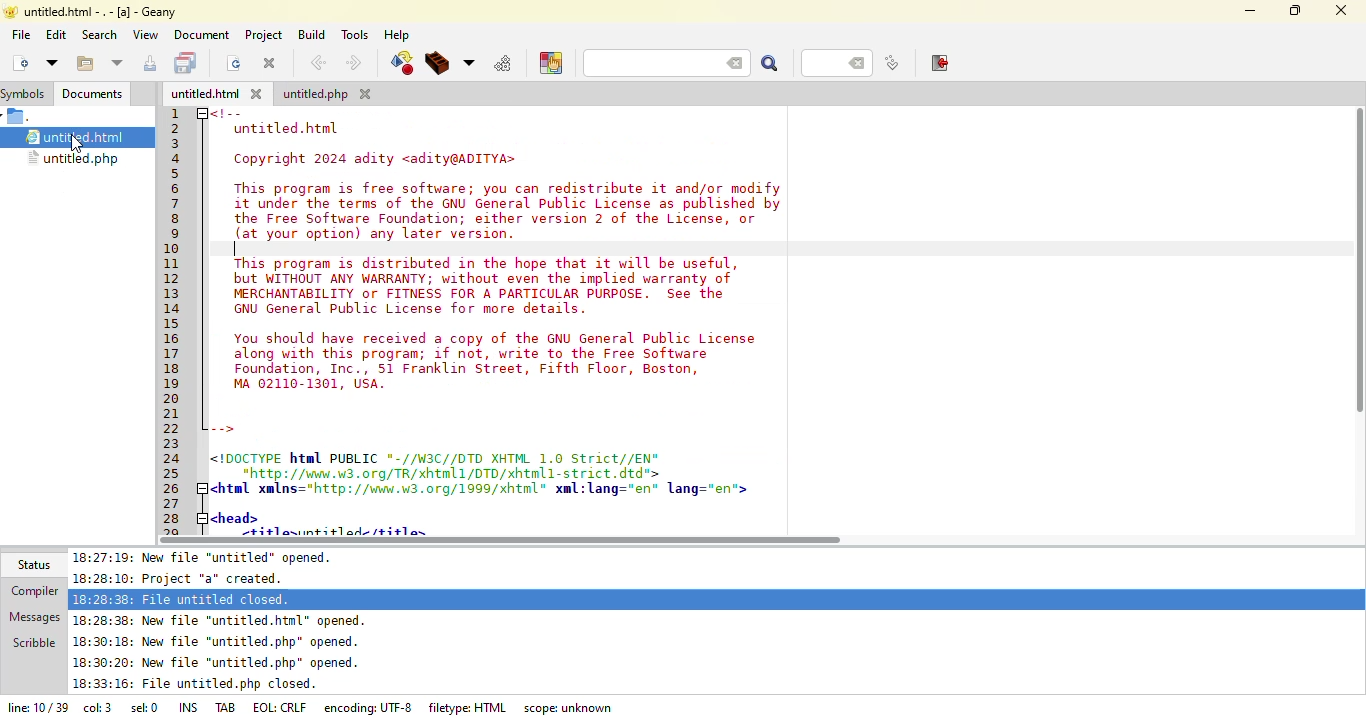 The width and height of the screenshot is (1366, 718). What do you see at coordinates (269, 63) in the screenshot?
I see `close current` at bounding box center [269, 63].